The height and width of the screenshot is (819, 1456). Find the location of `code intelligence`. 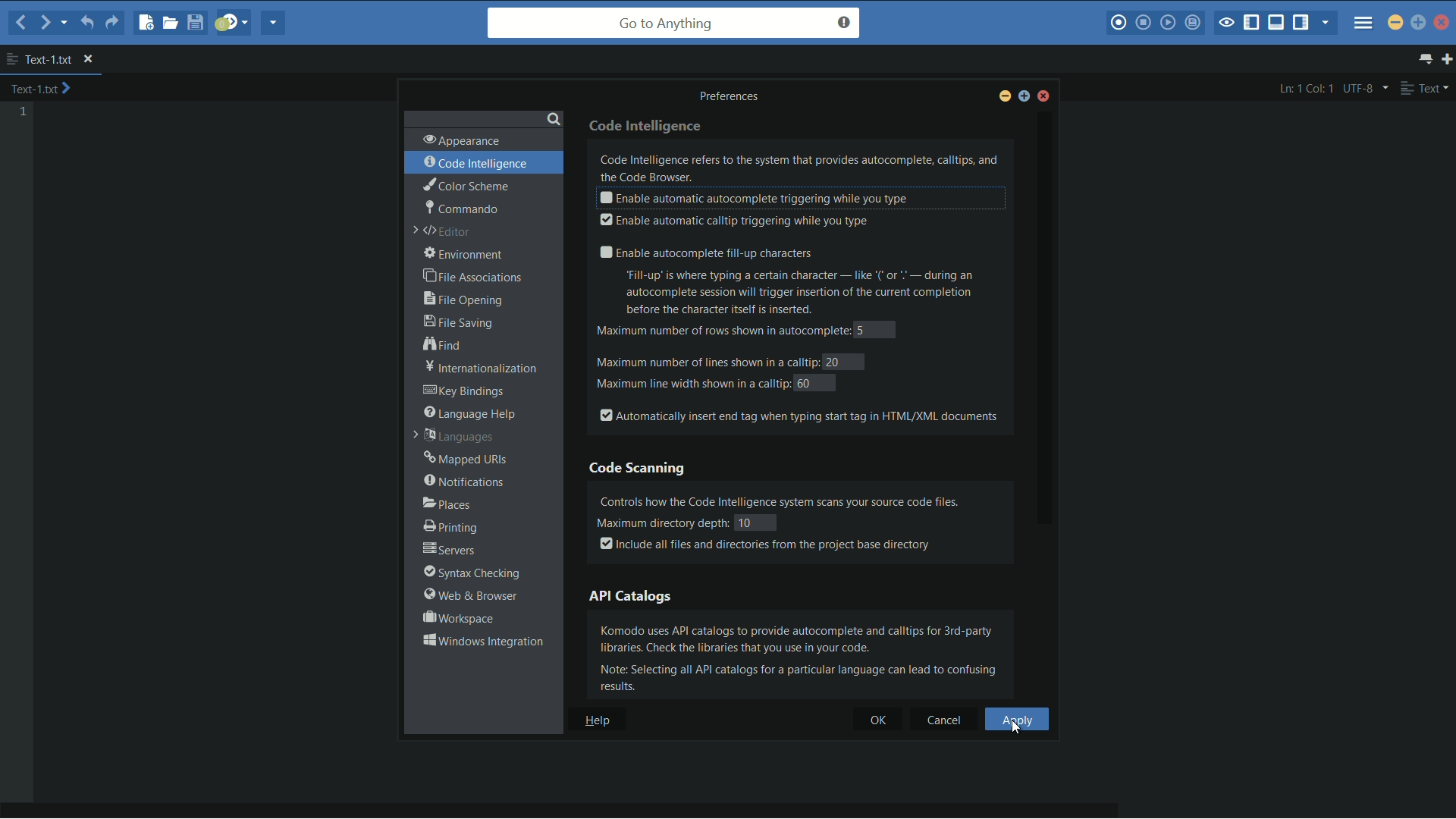

code intelligence is located at coordinates (477, 163).